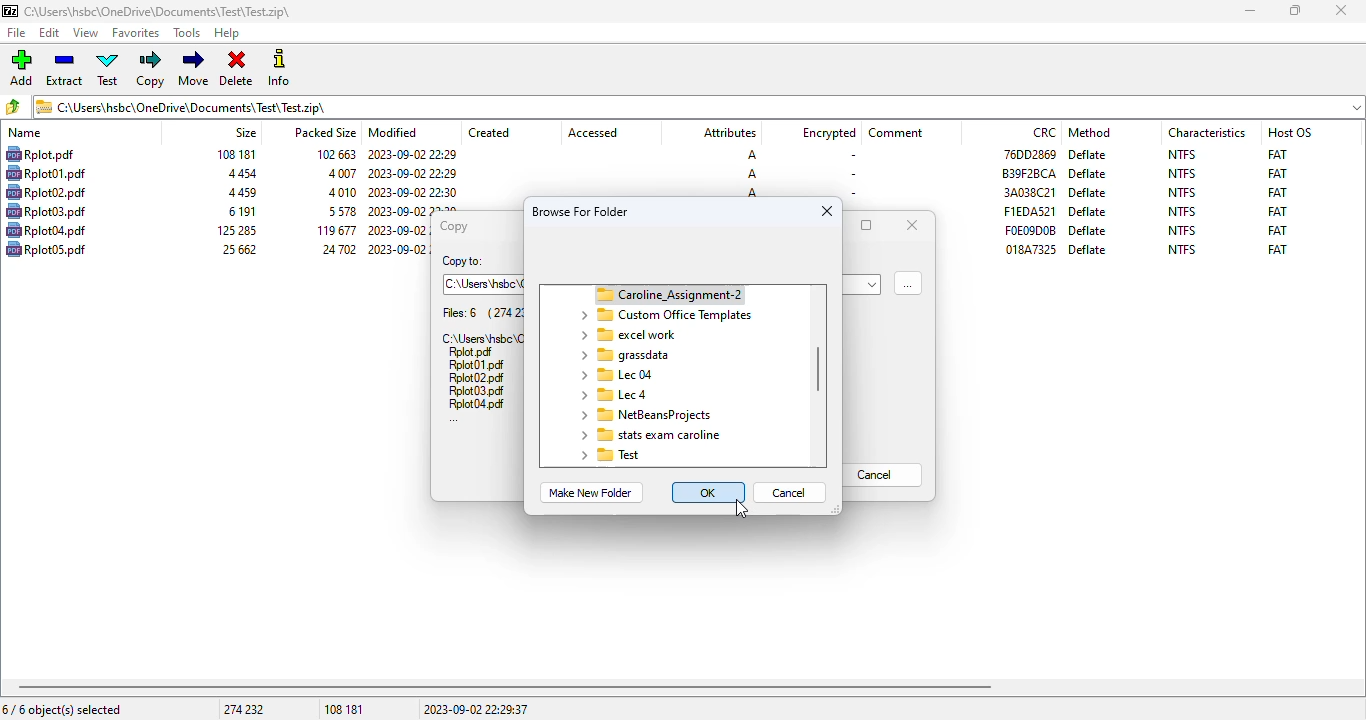  What do you see at coordinates (1277, 192) in the screenshot?
I see `FAT` at bounding box center [1277, 192].